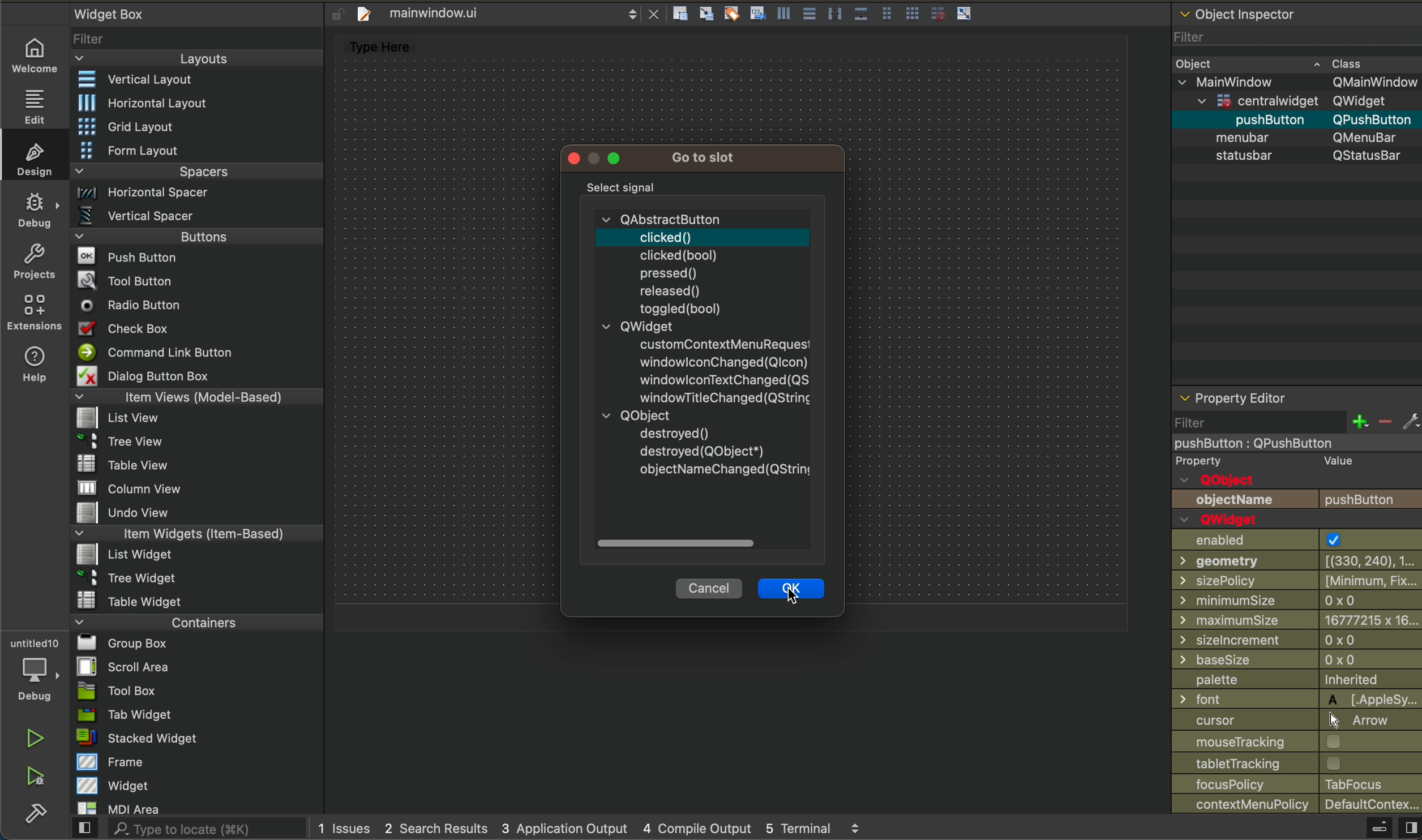 This screenshot has width=1422, height=840. I want to click on tree view, so click(197, 442).